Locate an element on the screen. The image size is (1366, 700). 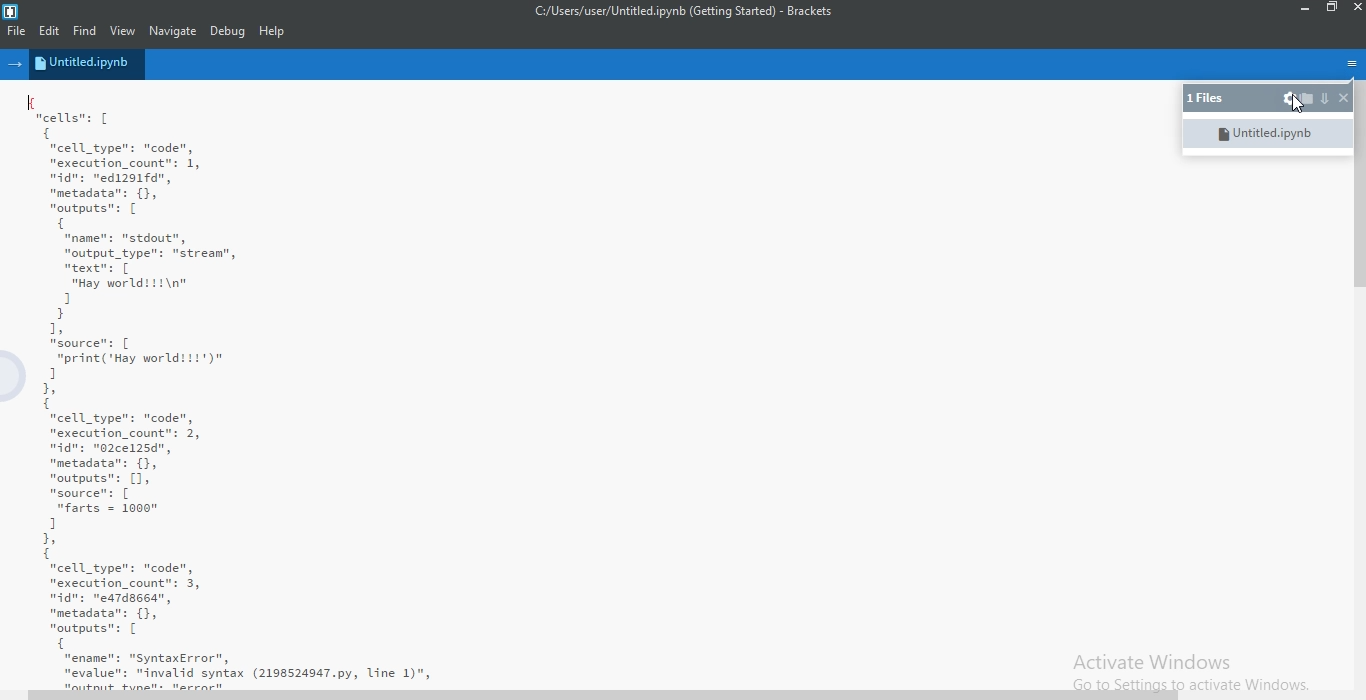
untitled.ipynb is located at coordinates (88, 64).